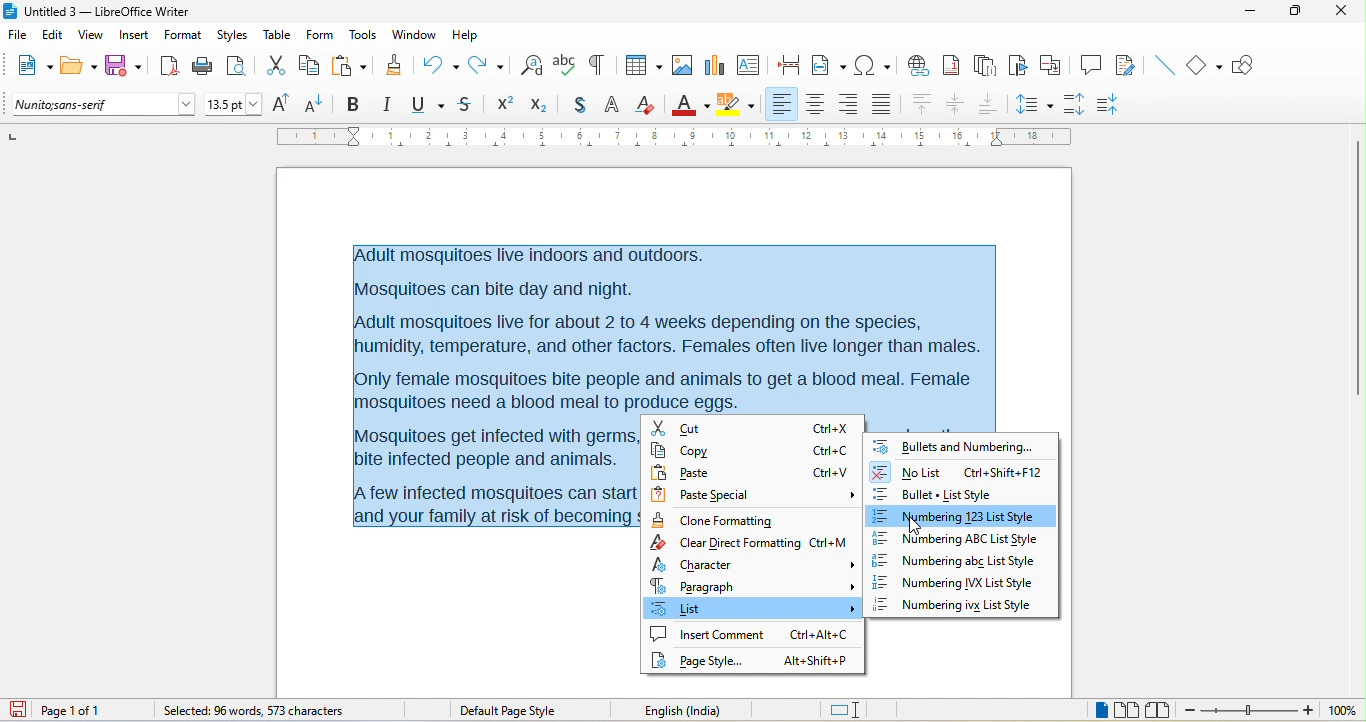 This screenshot has height=722, width=1366. I want to click on find and replace, so click(532, 63).